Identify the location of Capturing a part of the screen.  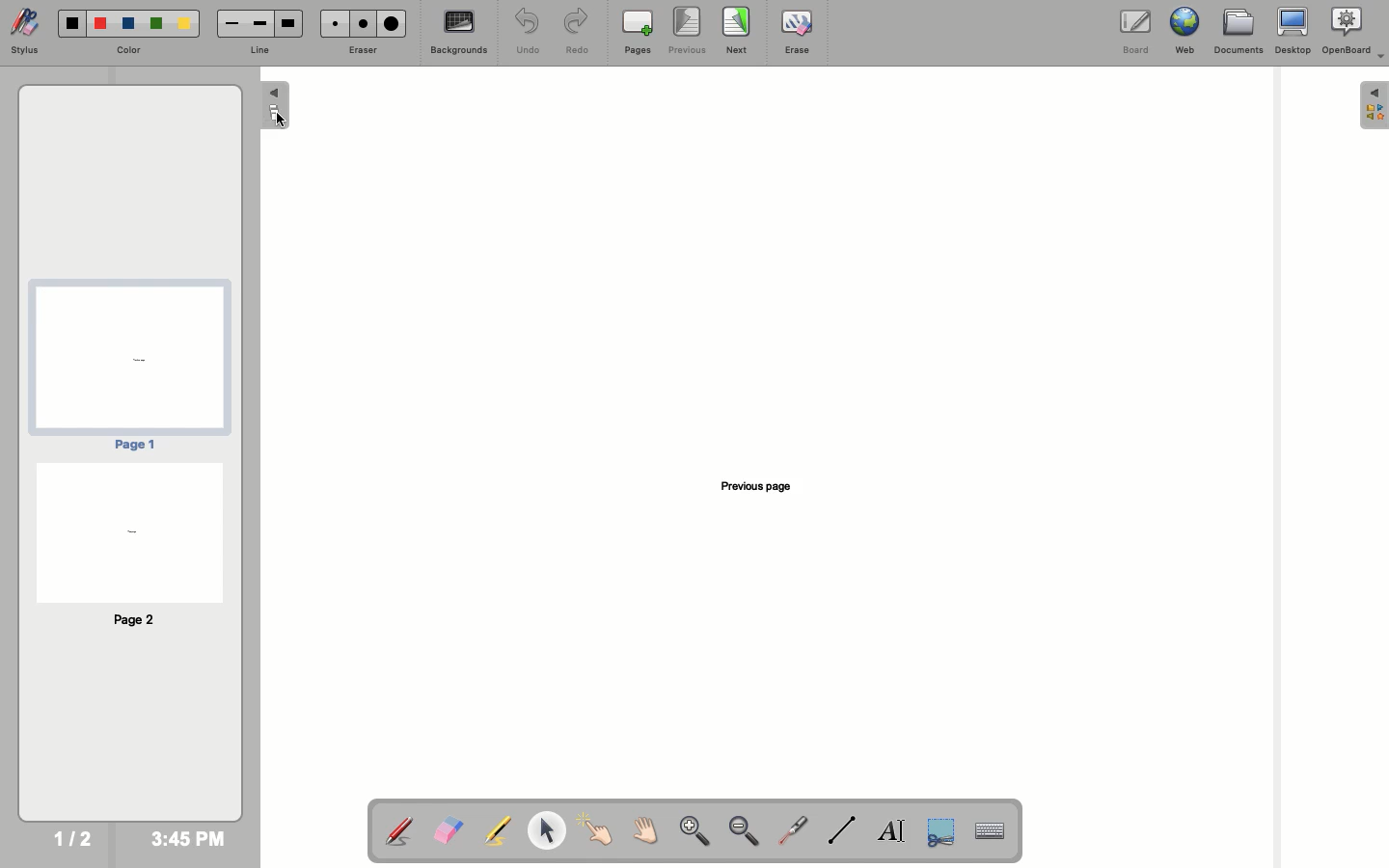
(943, 830).